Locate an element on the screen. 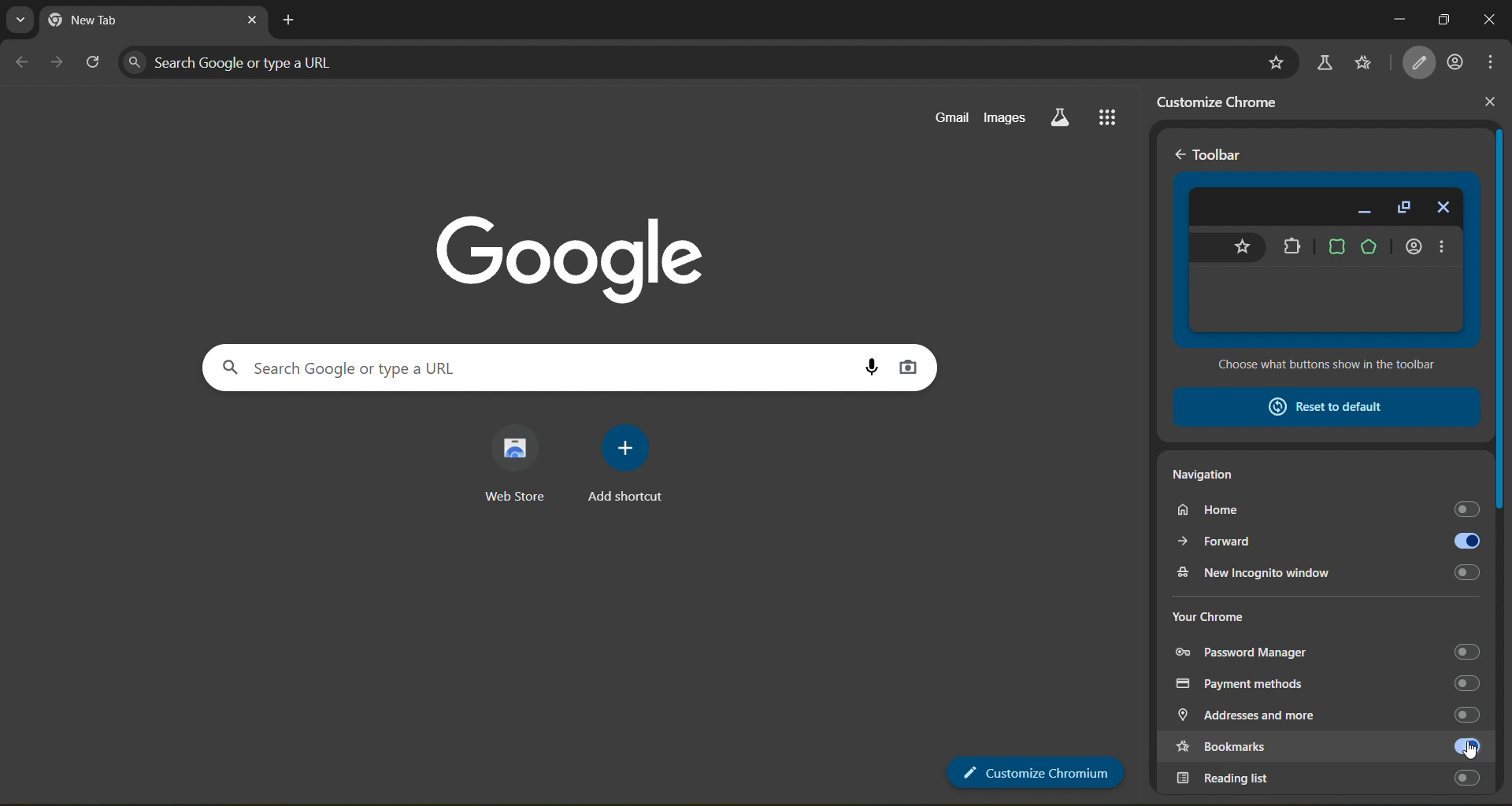 The height and width of the screenshot is (806, 1512). search labs is located at coordinates (1326, 59).